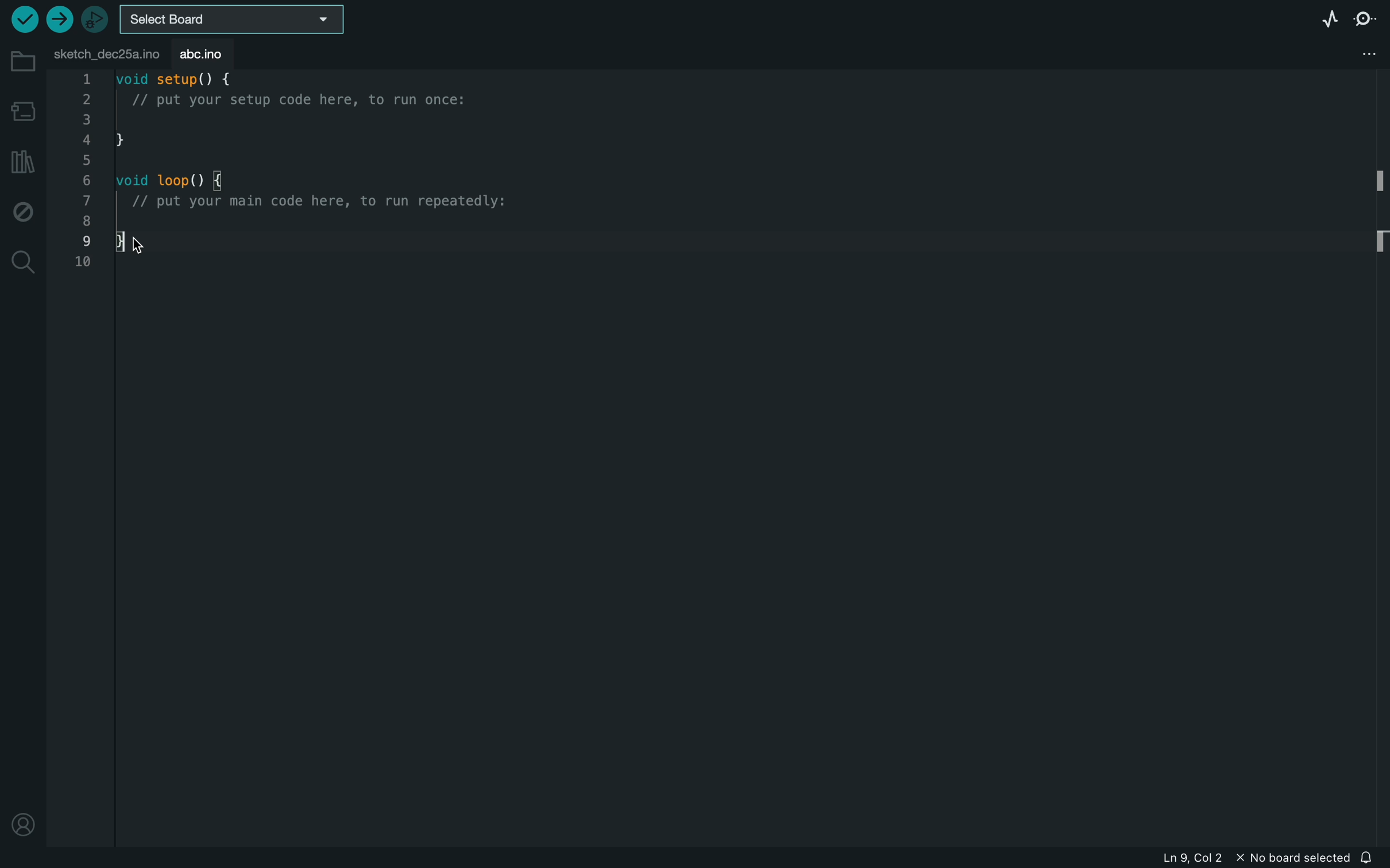 The image size is (1390, 868). What do you see at coordinates (96, 17) in the screenshot?
I see `debugger` at bounding box center [96, 17].